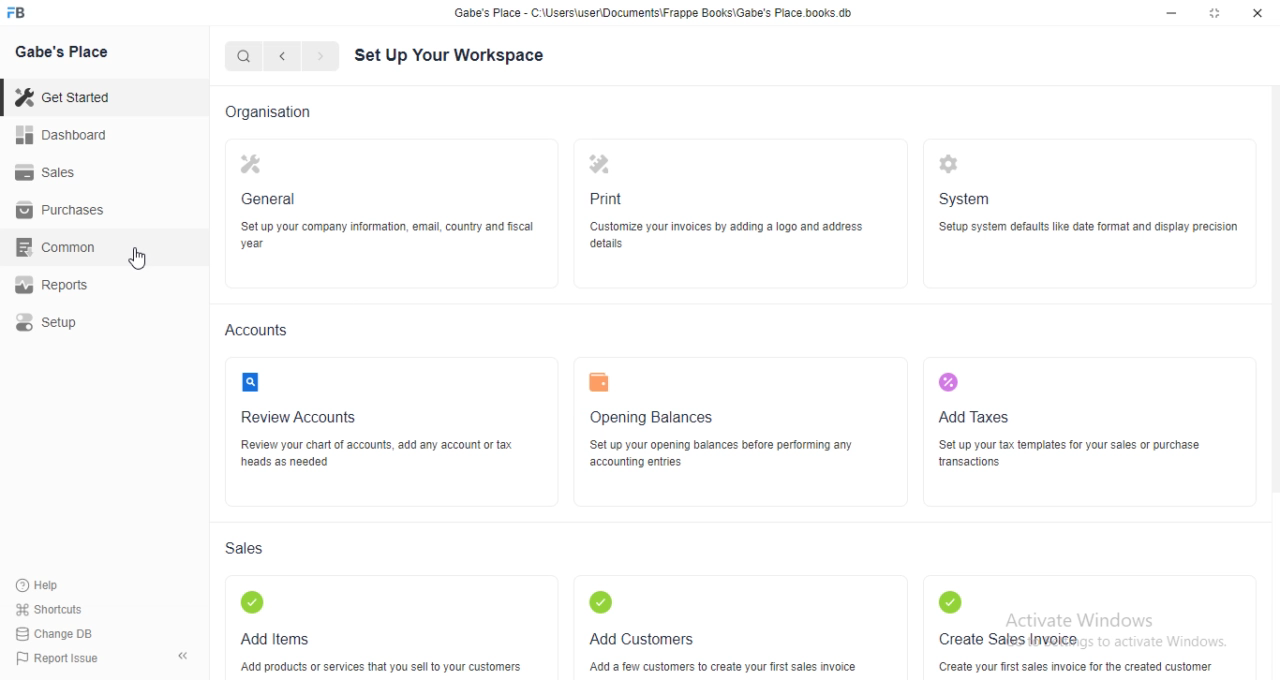 The image size is (1280, 680). Describe the element at coordinates (62, 135) in the screenshot. I see `Dashboard` at that location.